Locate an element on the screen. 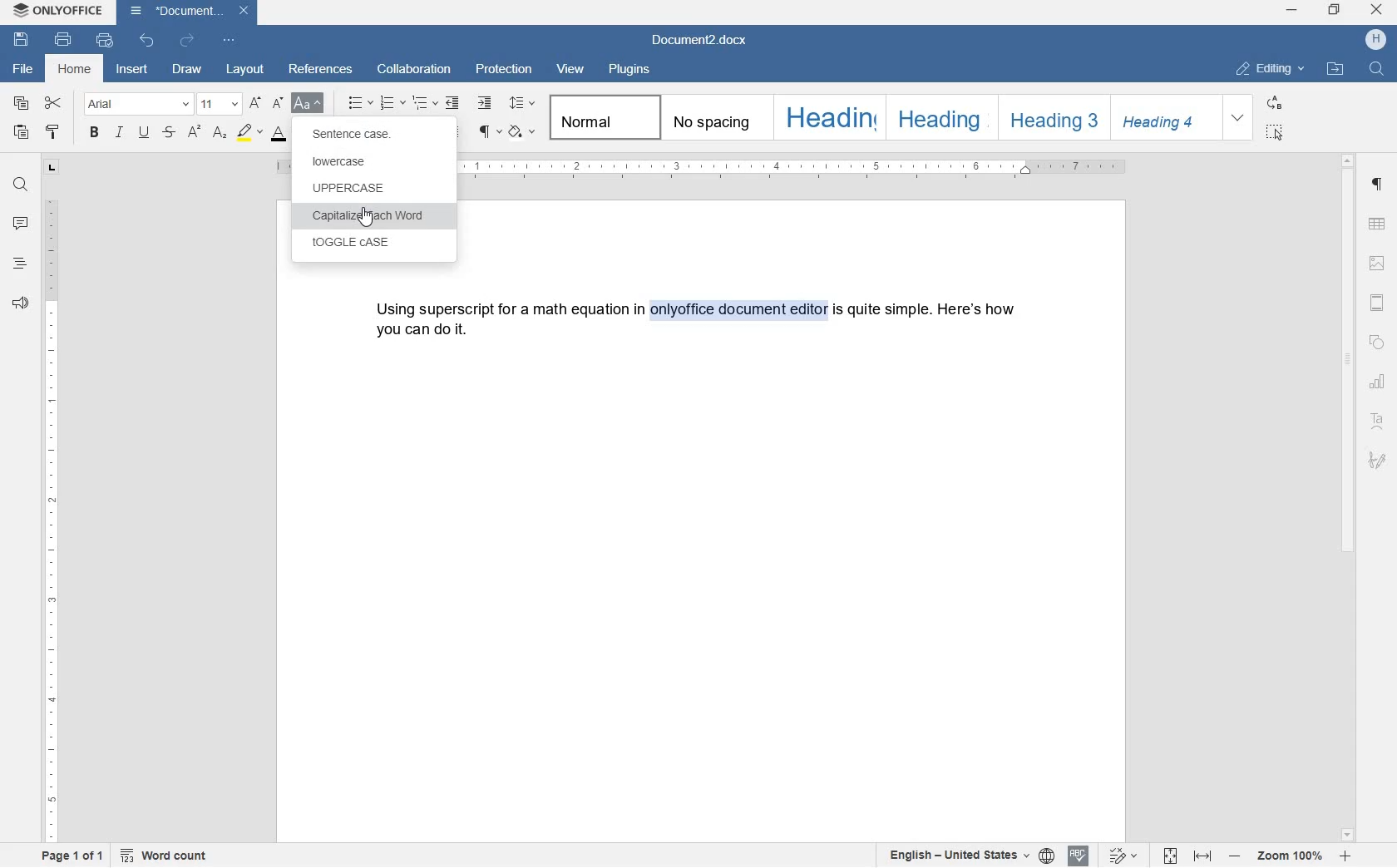 The image size is (1397, 868). redo is located at coordinates (185, 40).